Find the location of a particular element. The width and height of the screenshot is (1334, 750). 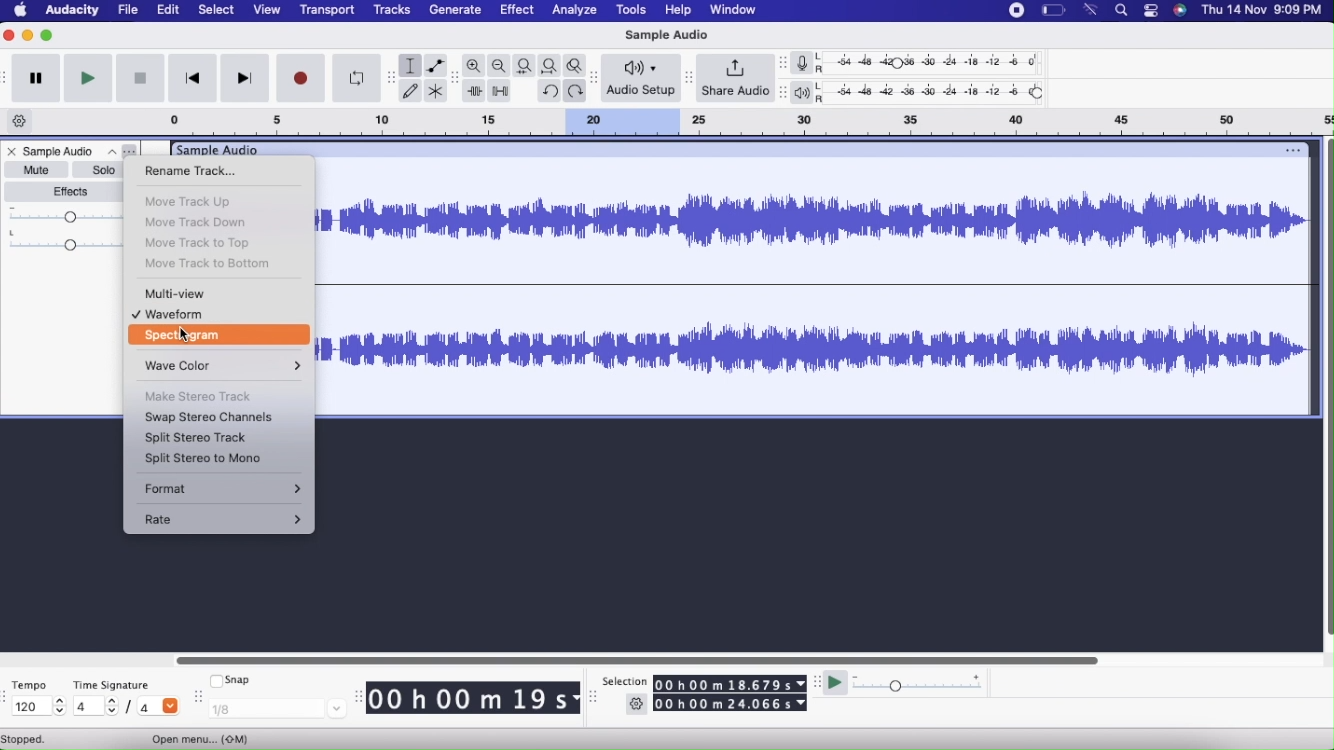

Multi-tool is located at coordinates (435, 91).